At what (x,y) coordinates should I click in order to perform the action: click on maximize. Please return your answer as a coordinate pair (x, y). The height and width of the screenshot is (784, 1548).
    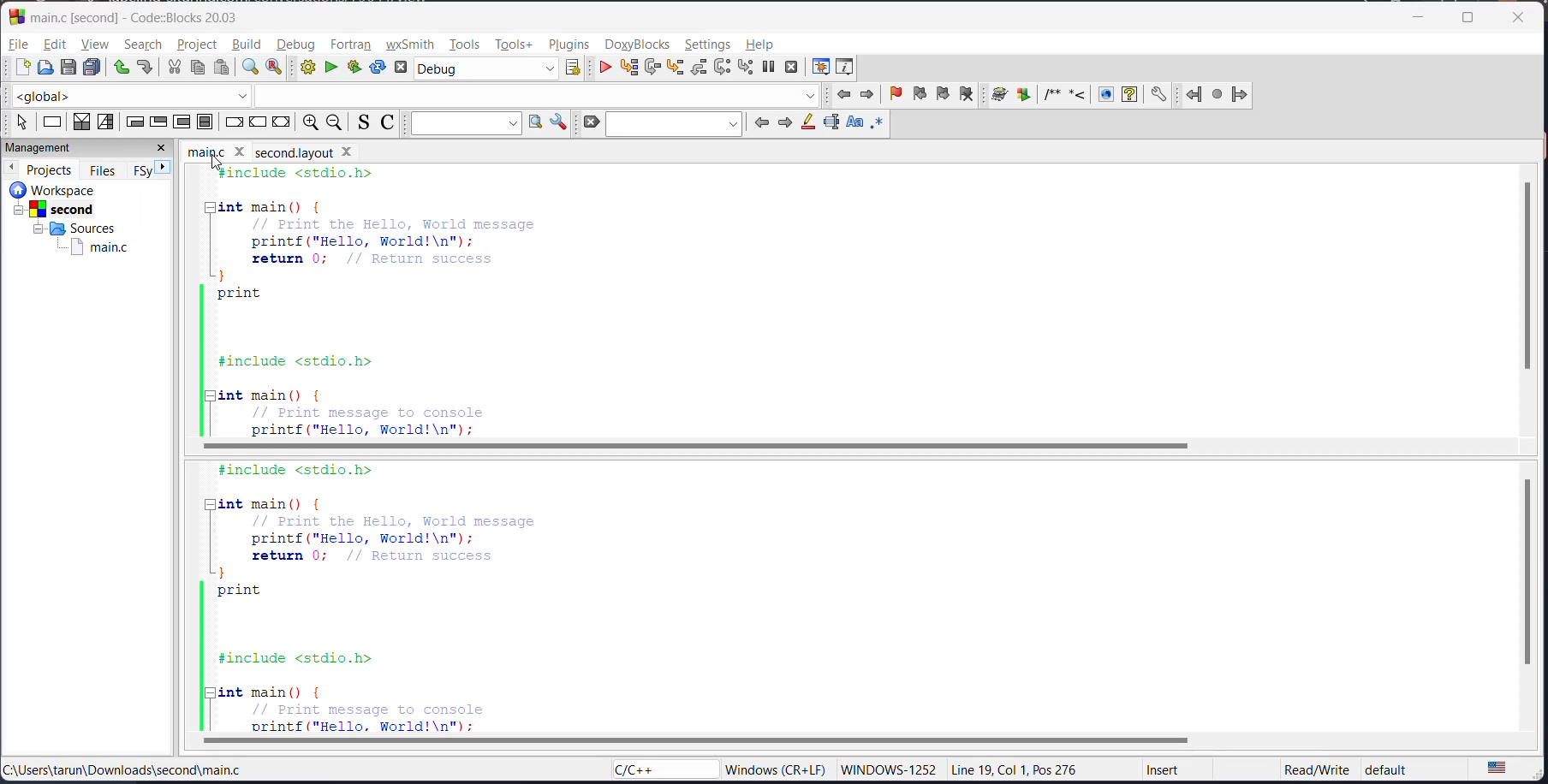
    Looking at the image, I should click on (1473, 20).